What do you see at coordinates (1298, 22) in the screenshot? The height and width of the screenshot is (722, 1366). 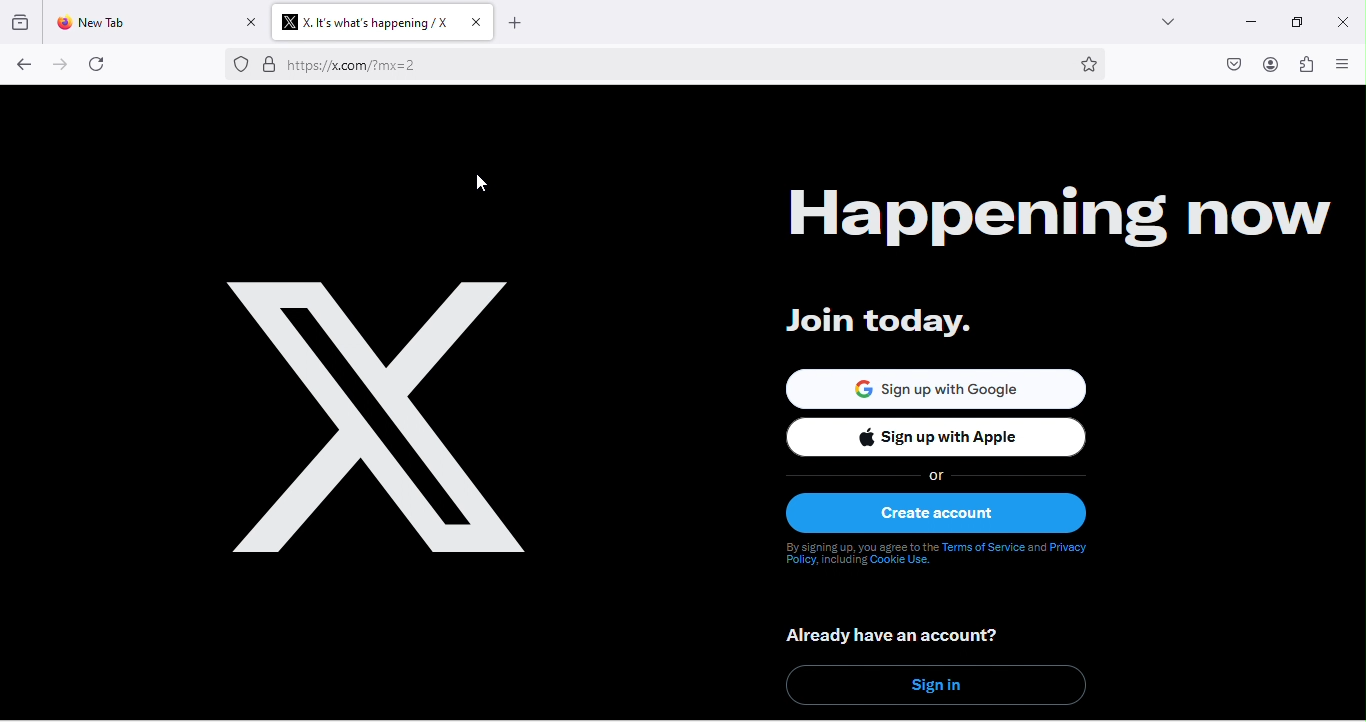 I see `maximize` at bounding box center [1298, 22].